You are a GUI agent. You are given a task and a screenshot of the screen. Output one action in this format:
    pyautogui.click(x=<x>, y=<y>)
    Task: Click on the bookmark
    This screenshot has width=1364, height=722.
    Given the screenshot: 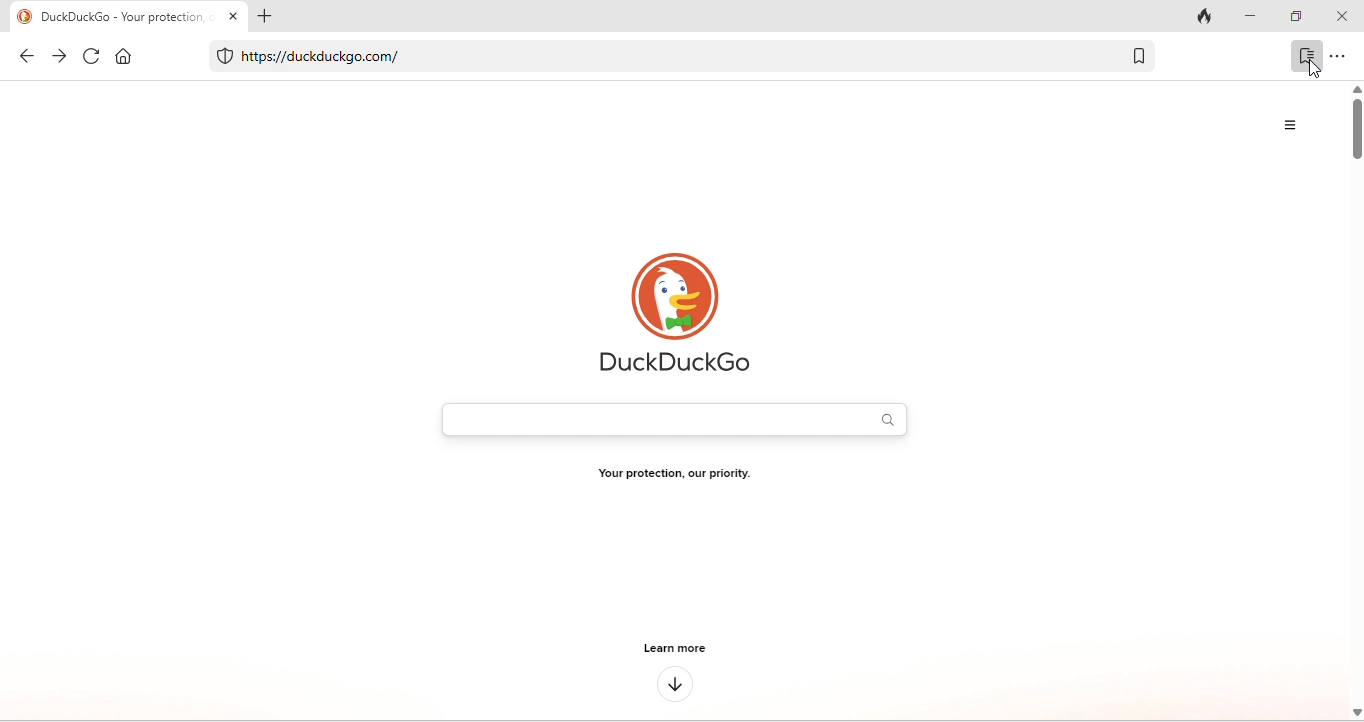 What is the action you would take?
    pyautogui.click(x=1137, y=58)
    